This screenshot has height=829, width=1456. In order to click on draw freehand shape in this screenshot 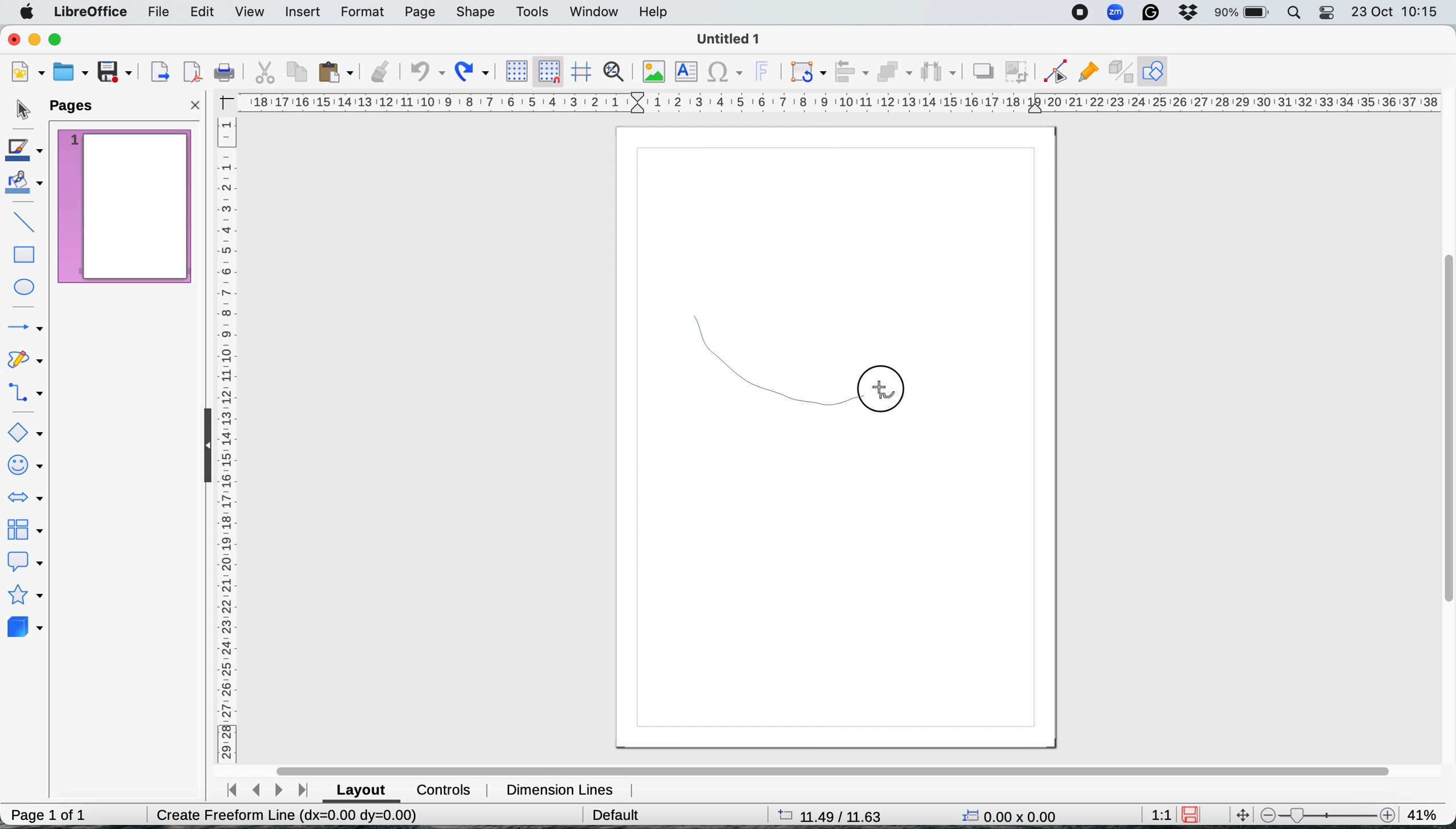, I will do `click(770, 366)`.